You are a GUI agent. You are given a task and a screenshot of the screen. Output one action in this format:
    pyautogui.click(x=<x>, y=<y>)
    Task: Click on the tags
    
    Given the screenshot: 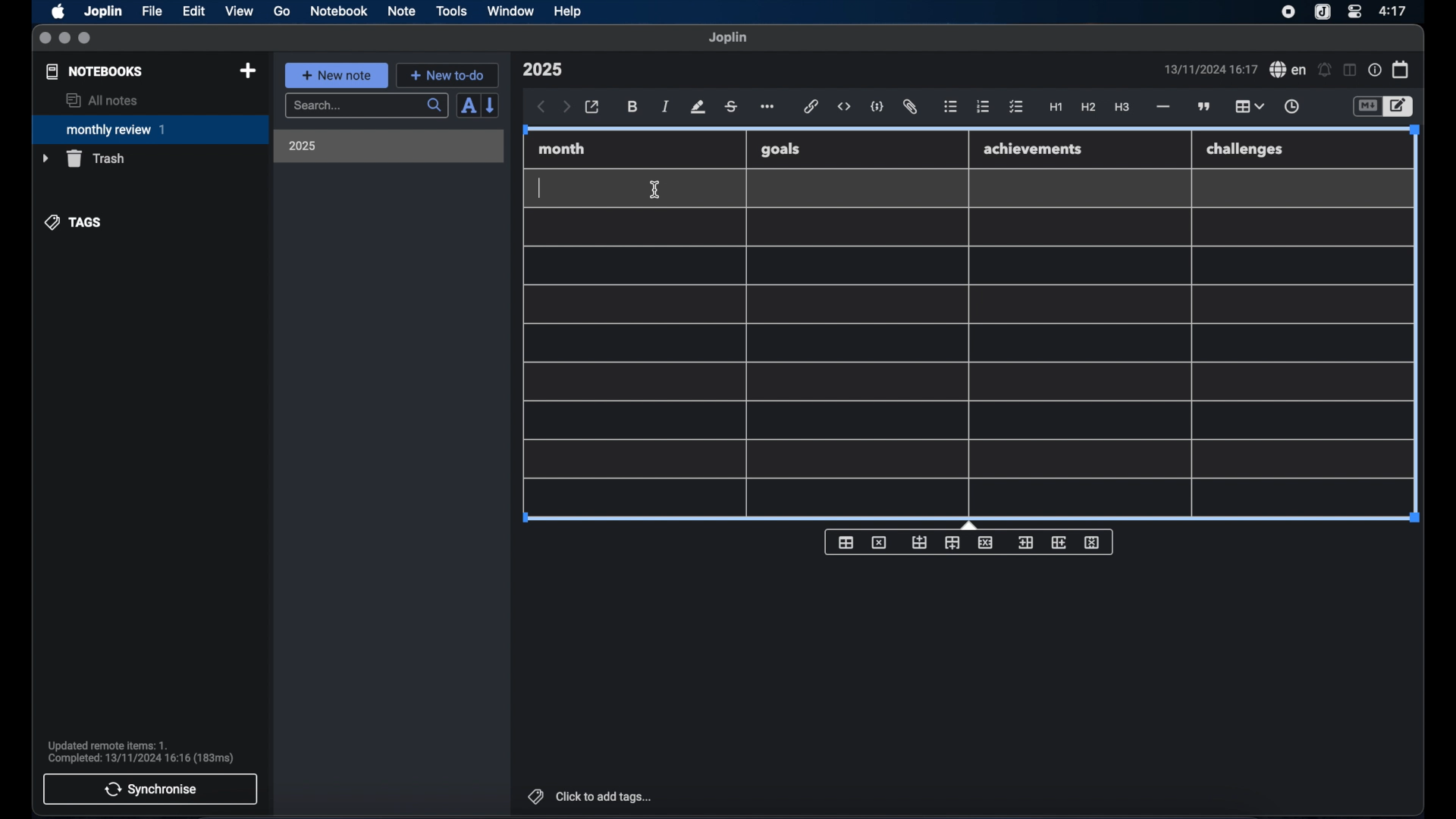 What is the action you would take?
    pyautogui.click(x=74, y=222)
    